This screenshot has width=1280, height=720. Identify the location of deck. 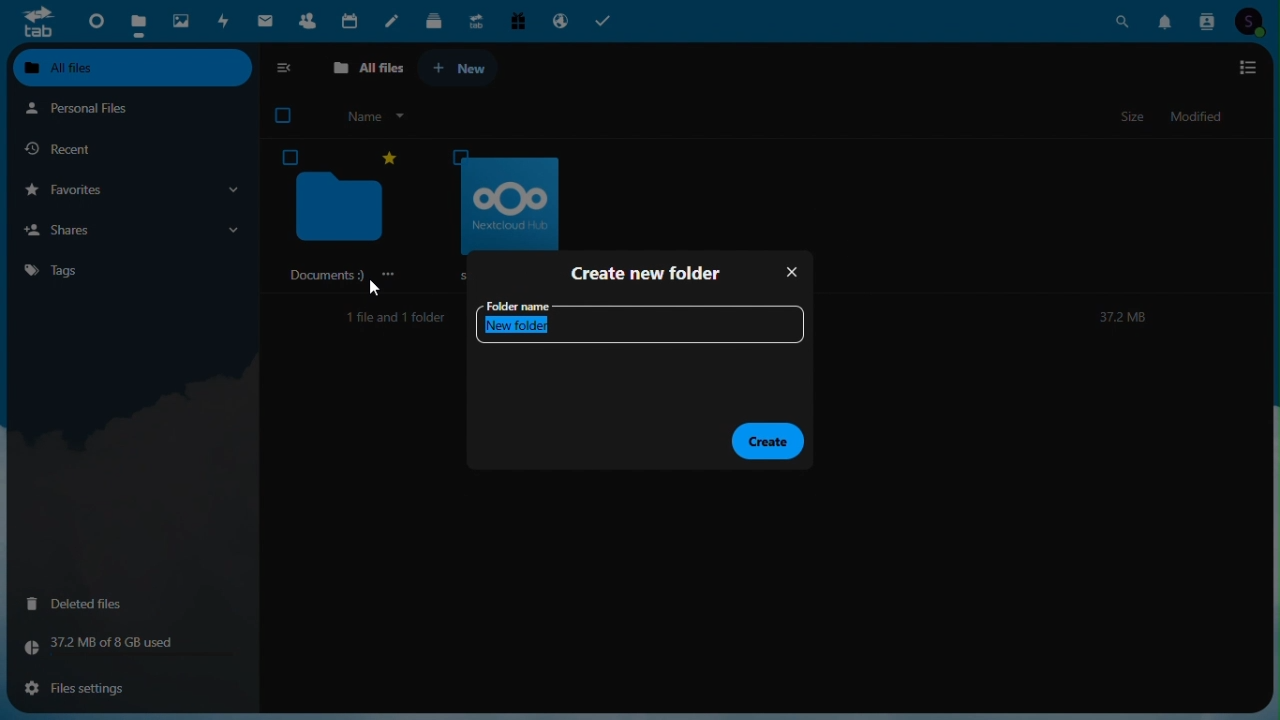
(435, 19).